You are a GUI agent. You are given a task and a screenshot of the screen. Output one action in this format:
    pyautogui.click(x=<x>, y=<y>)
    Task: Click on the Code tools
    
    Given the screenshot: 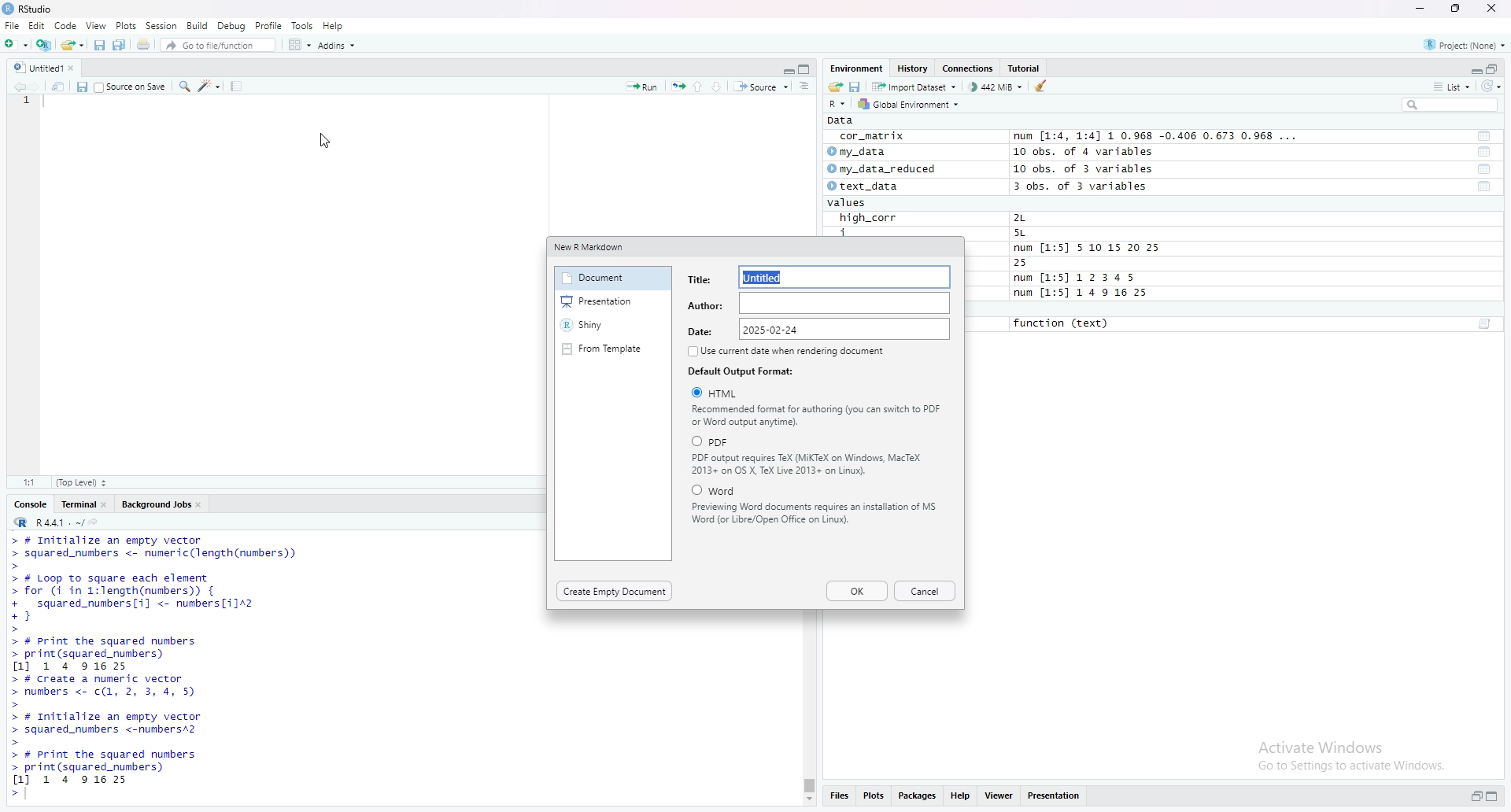 What is the action you would take?
    pyautogui.click(x=209, y=86)
    